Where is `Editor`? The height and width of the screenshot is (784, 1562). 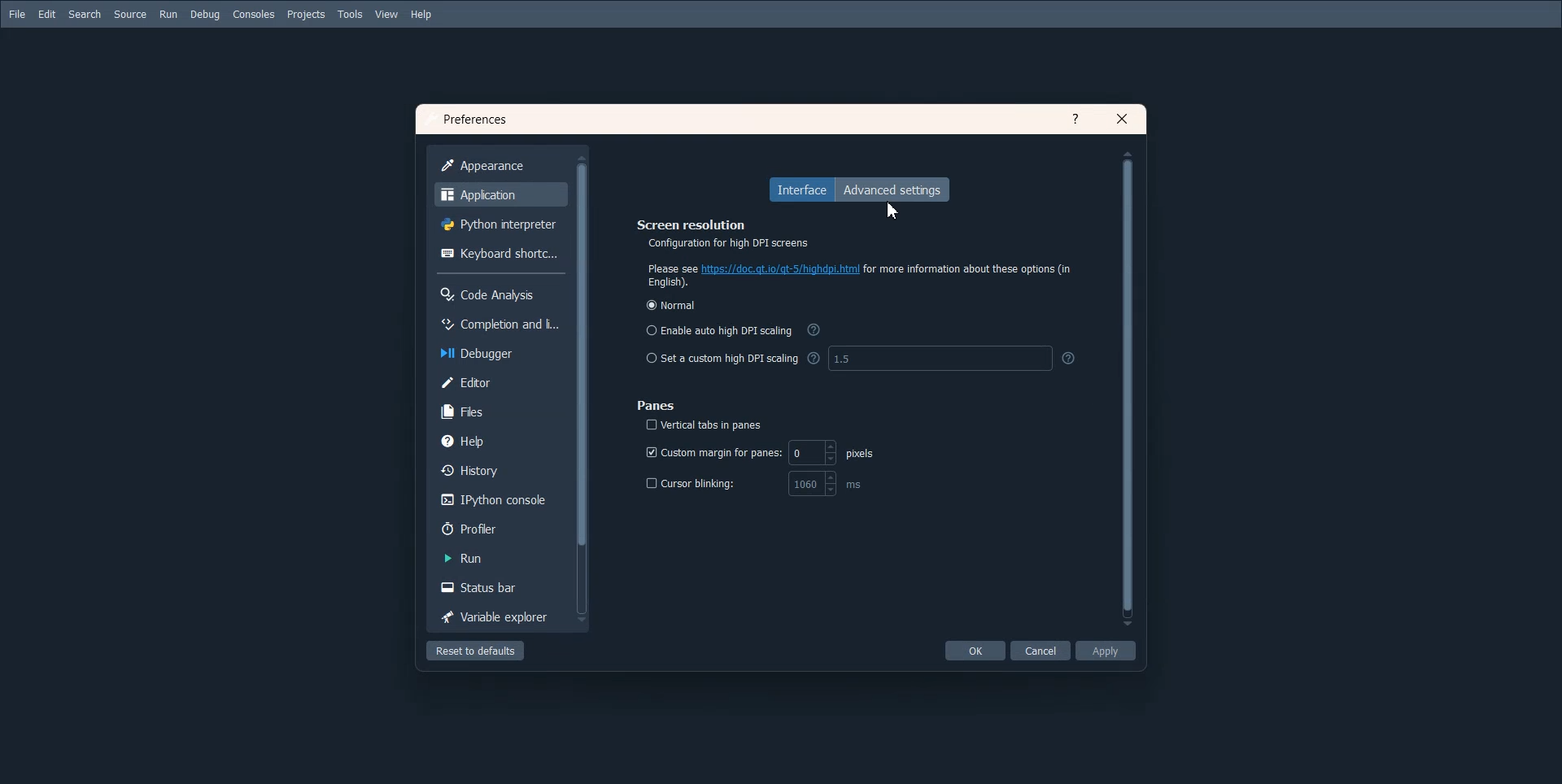 Editor is located at coordinates (500, 381).